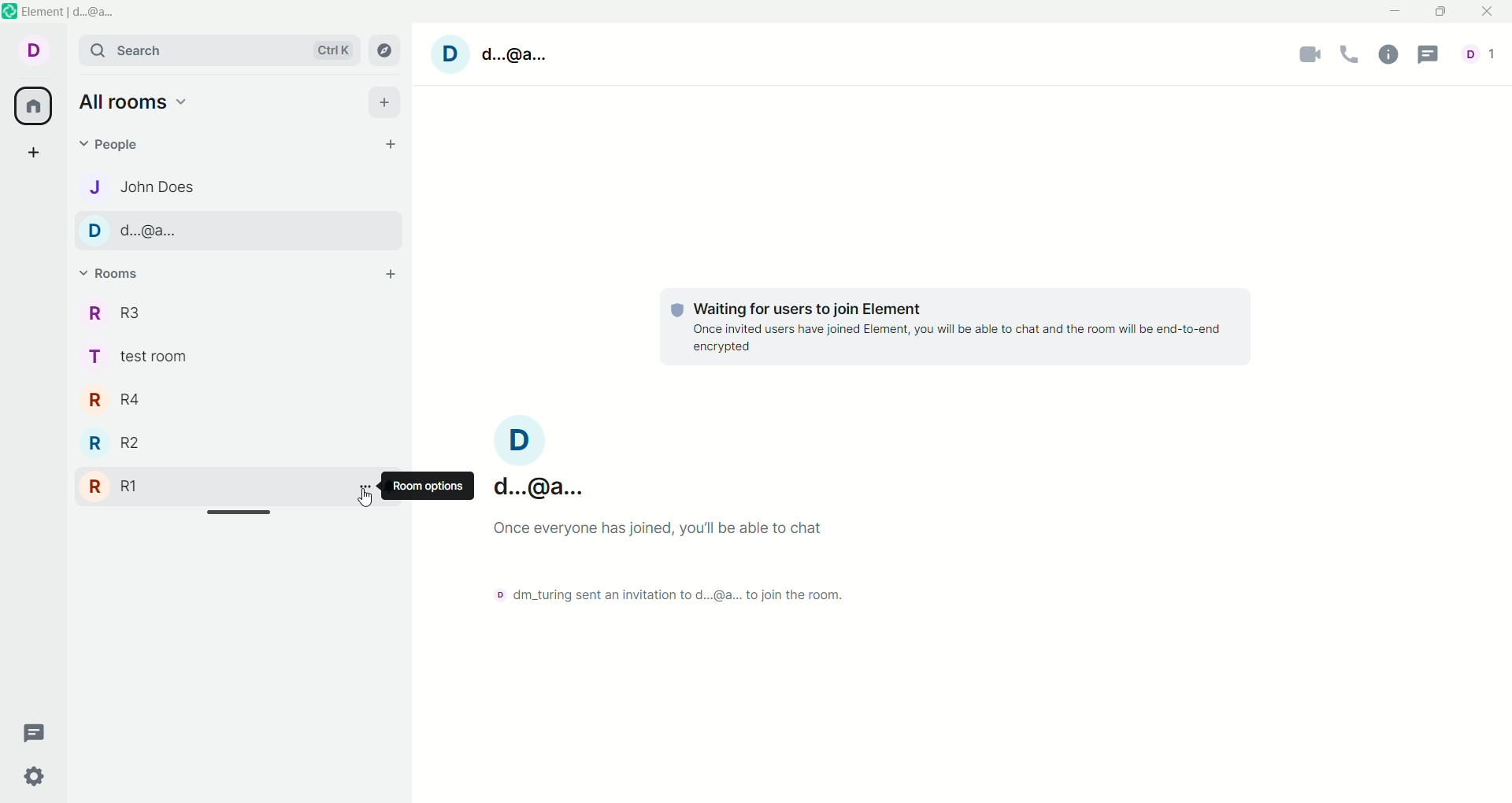 The width and height of the screenshot is (1512, 803). I want to click on close, so click(1486, 12).